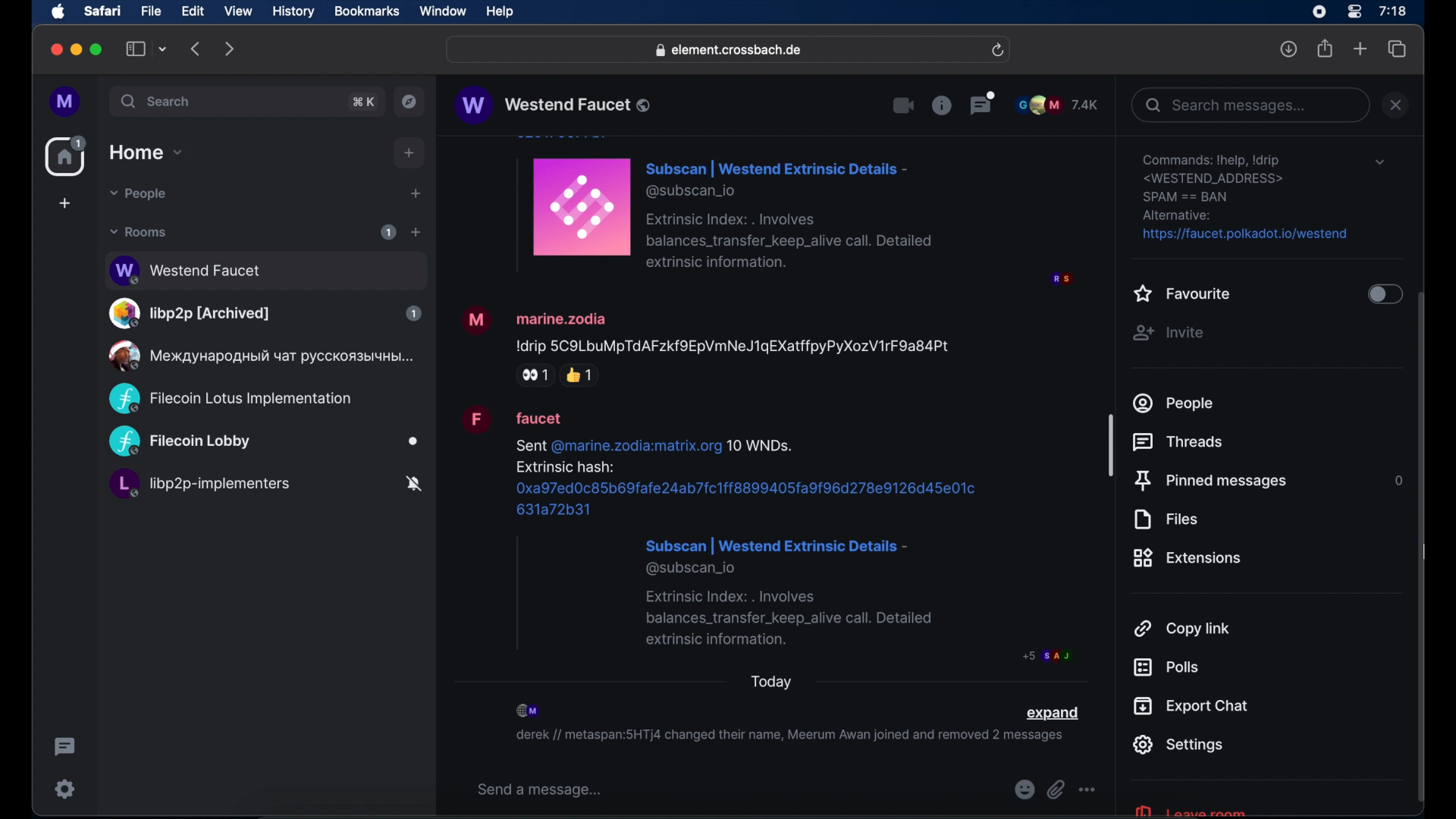  I want to click on share, so click(1326, 49).